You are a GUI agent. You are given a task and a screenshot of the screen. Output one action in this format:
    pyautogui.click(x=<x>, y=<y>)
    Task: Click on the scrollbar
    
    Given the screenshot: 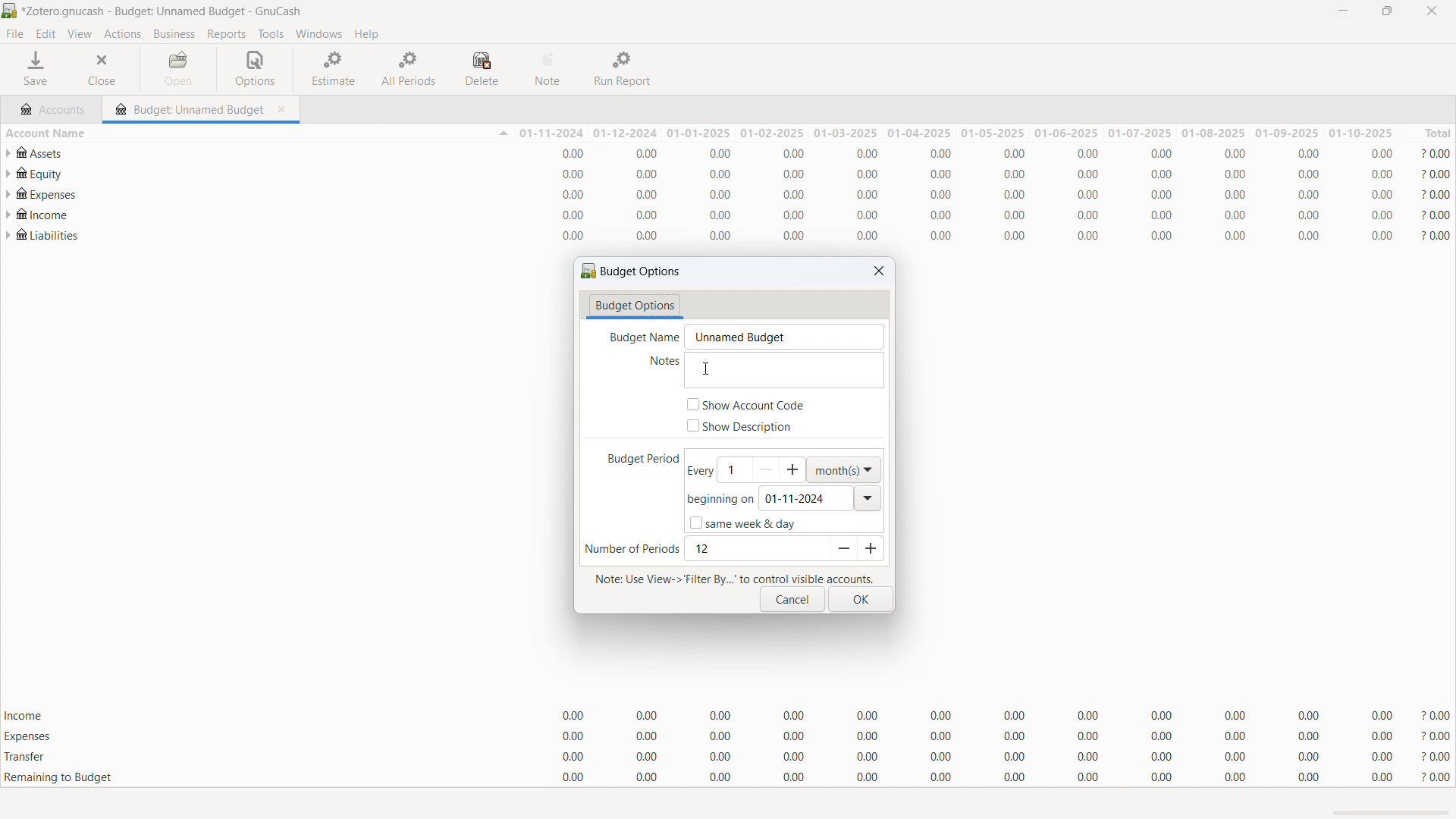 What is the action you would take?
    pyautogui.click(x=1392, y=814)
    